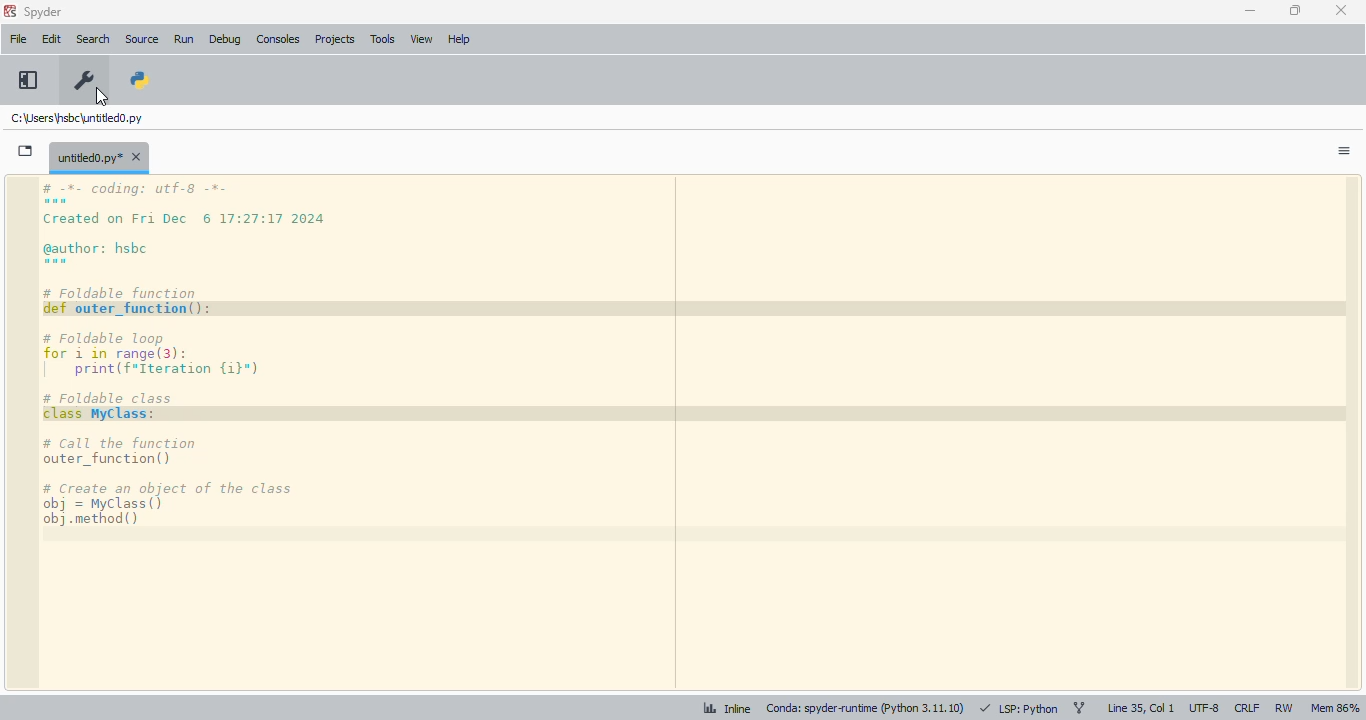 The width and height of the screenshot is (1366, 720). What do you see at coordinates (226, 39) in the screenshot?
I see `debug` at bounding box center [226, 39].